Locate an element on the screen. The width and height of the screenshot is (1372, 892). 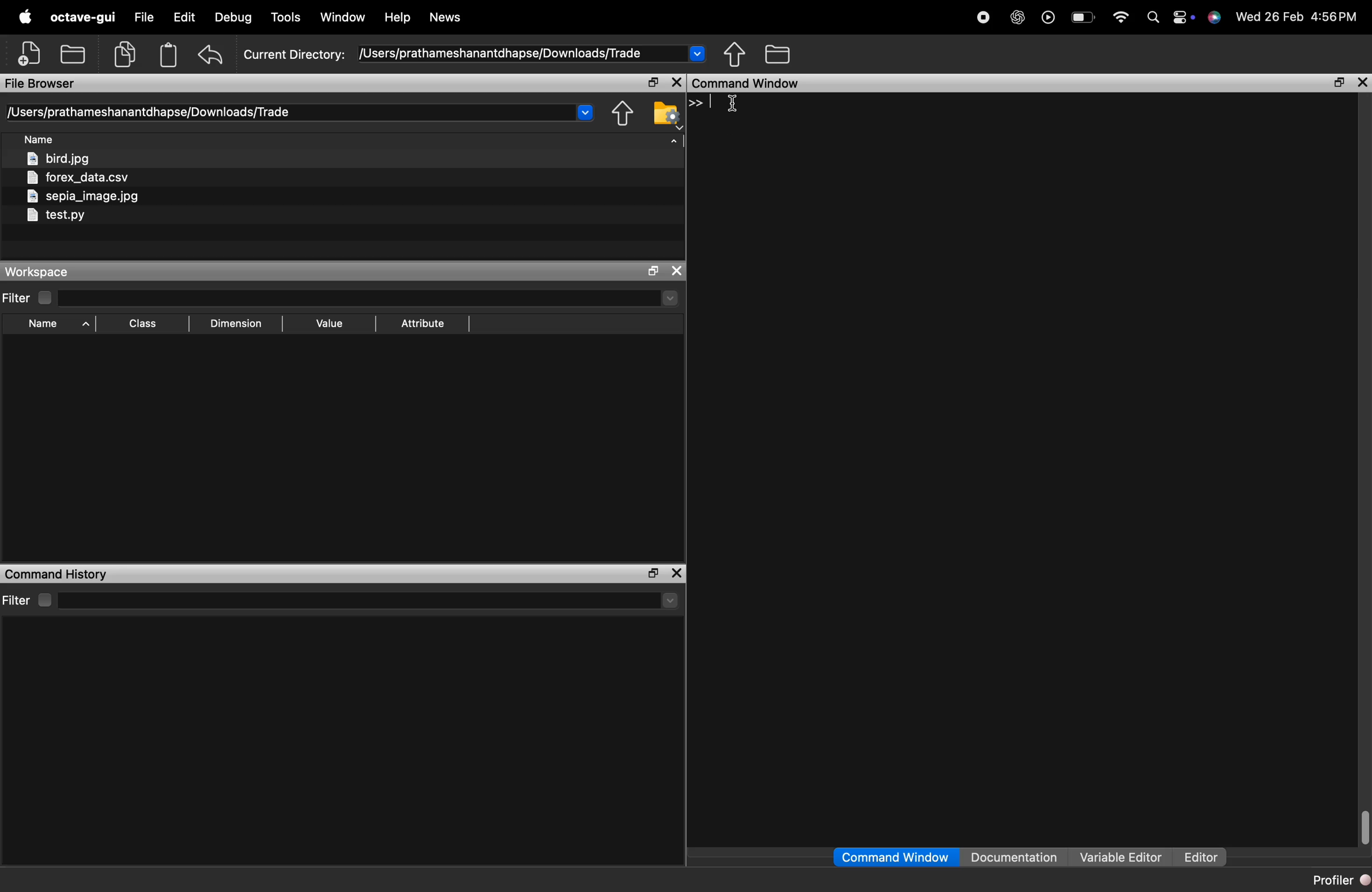
Command History is located at coordinates (59, 573).